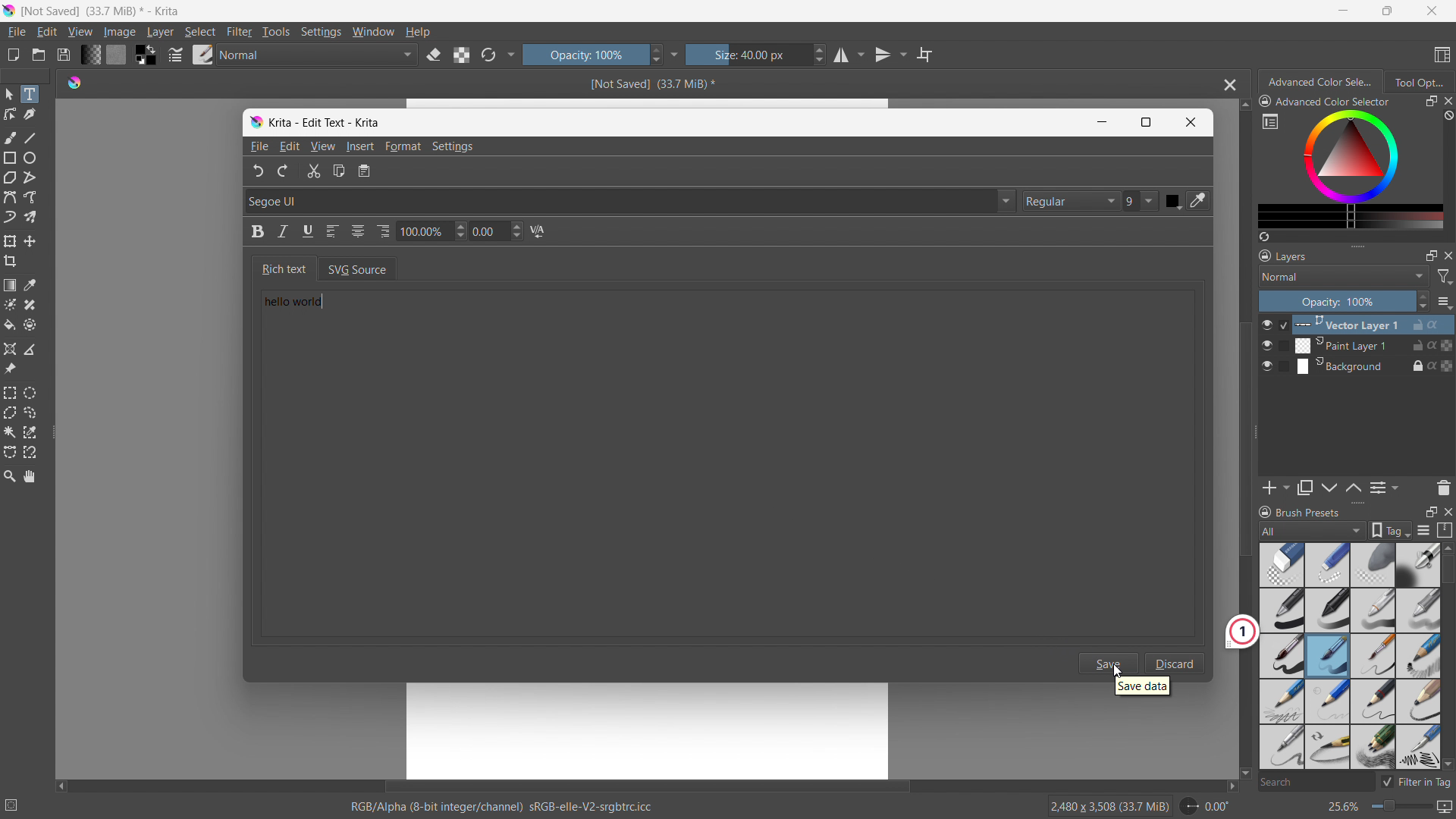 Image resolution: width=1456 pixels, height=819 pixels. What do you see at coordinates (433, 55) in the screenshot?
I see `set erasor` at bounding box center [433, 55].